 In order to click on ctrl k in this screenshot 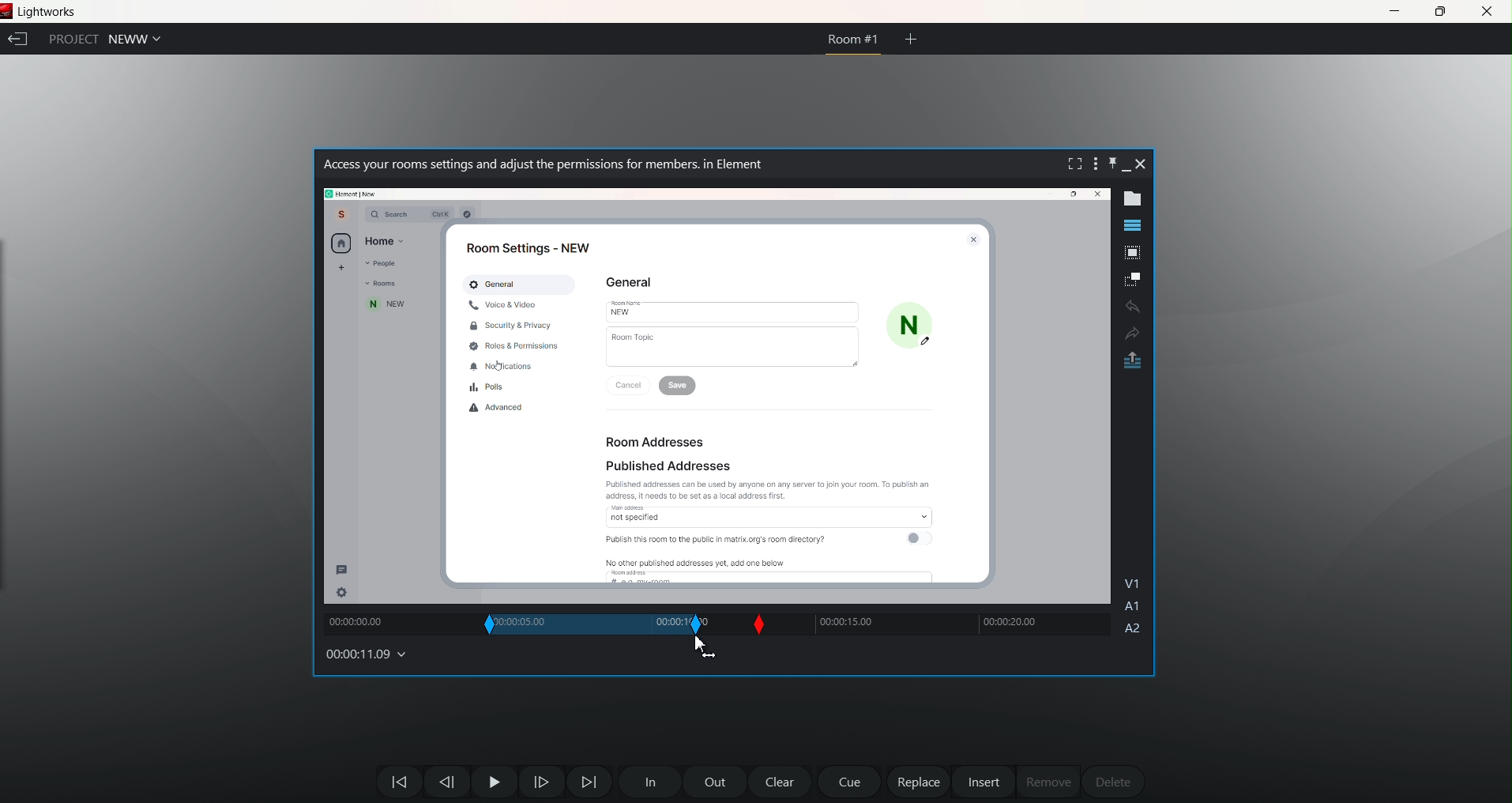, I will do `click(441, 214)`.